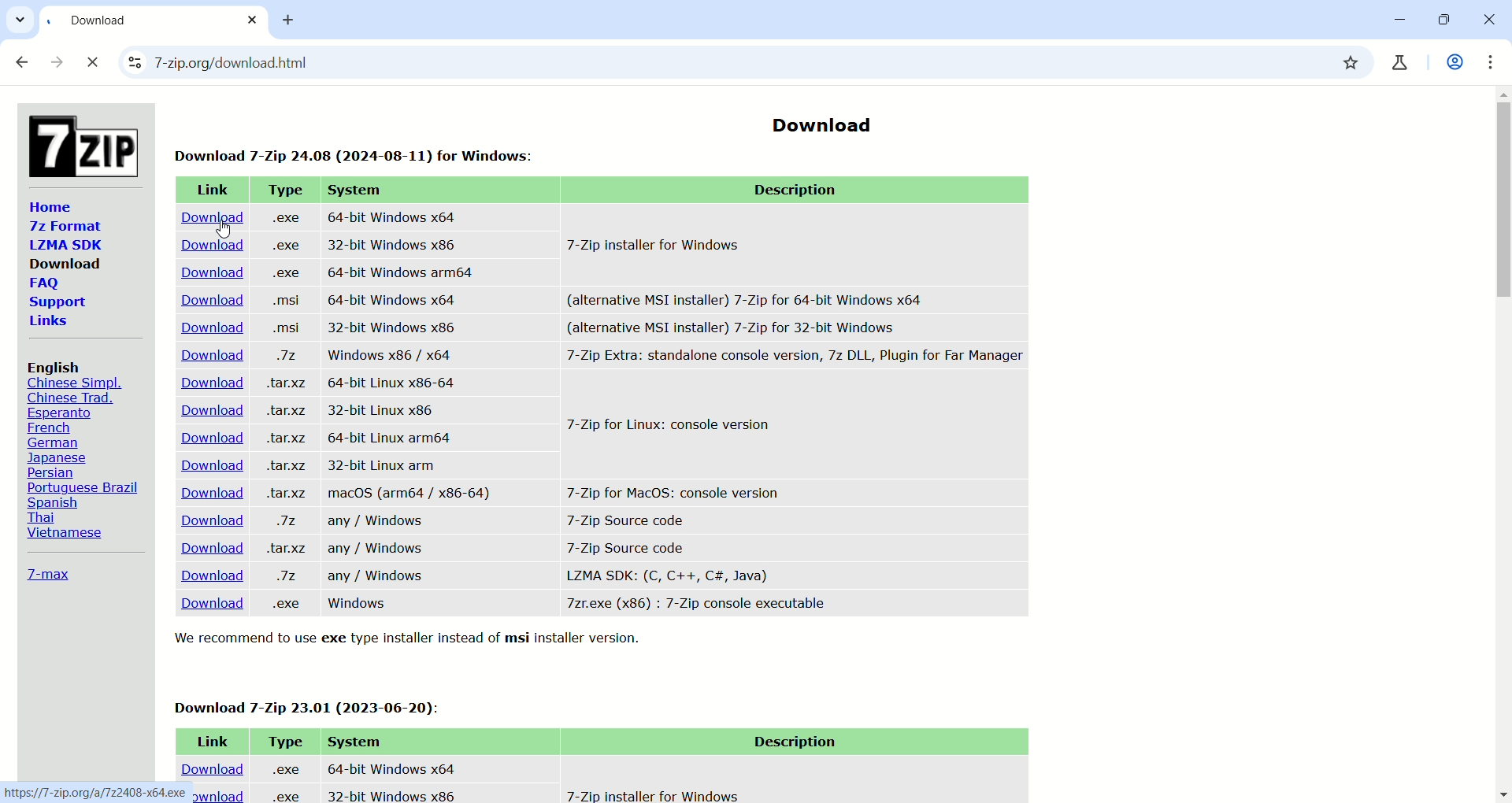  What do you see at coordinates (94, 790) in the screenshot?
I see `https: //7-zip.0ra/a/722408-x64 exe` at bounding box center [94, 790].